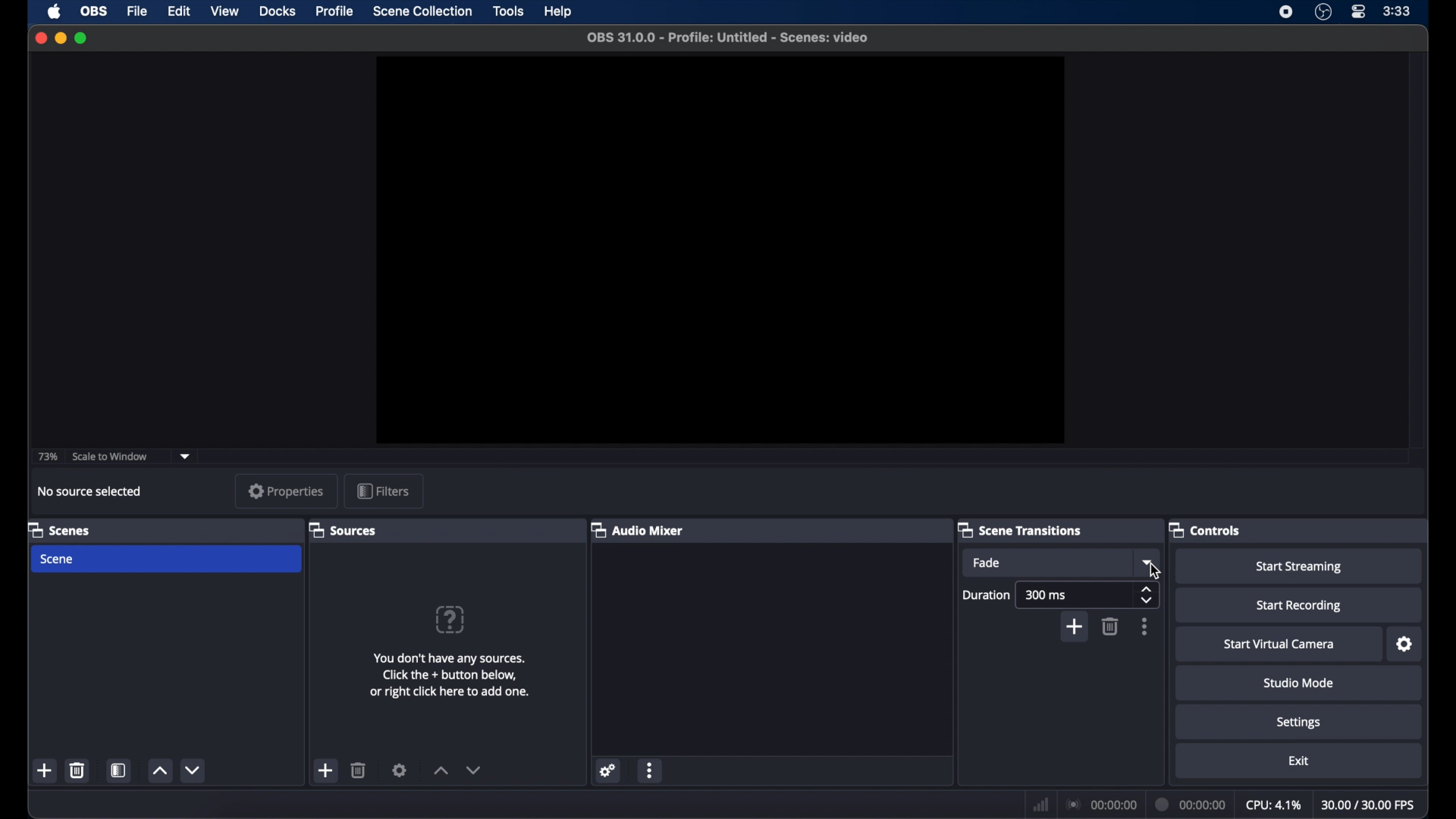  I want to click on preview, so click(719, 250).